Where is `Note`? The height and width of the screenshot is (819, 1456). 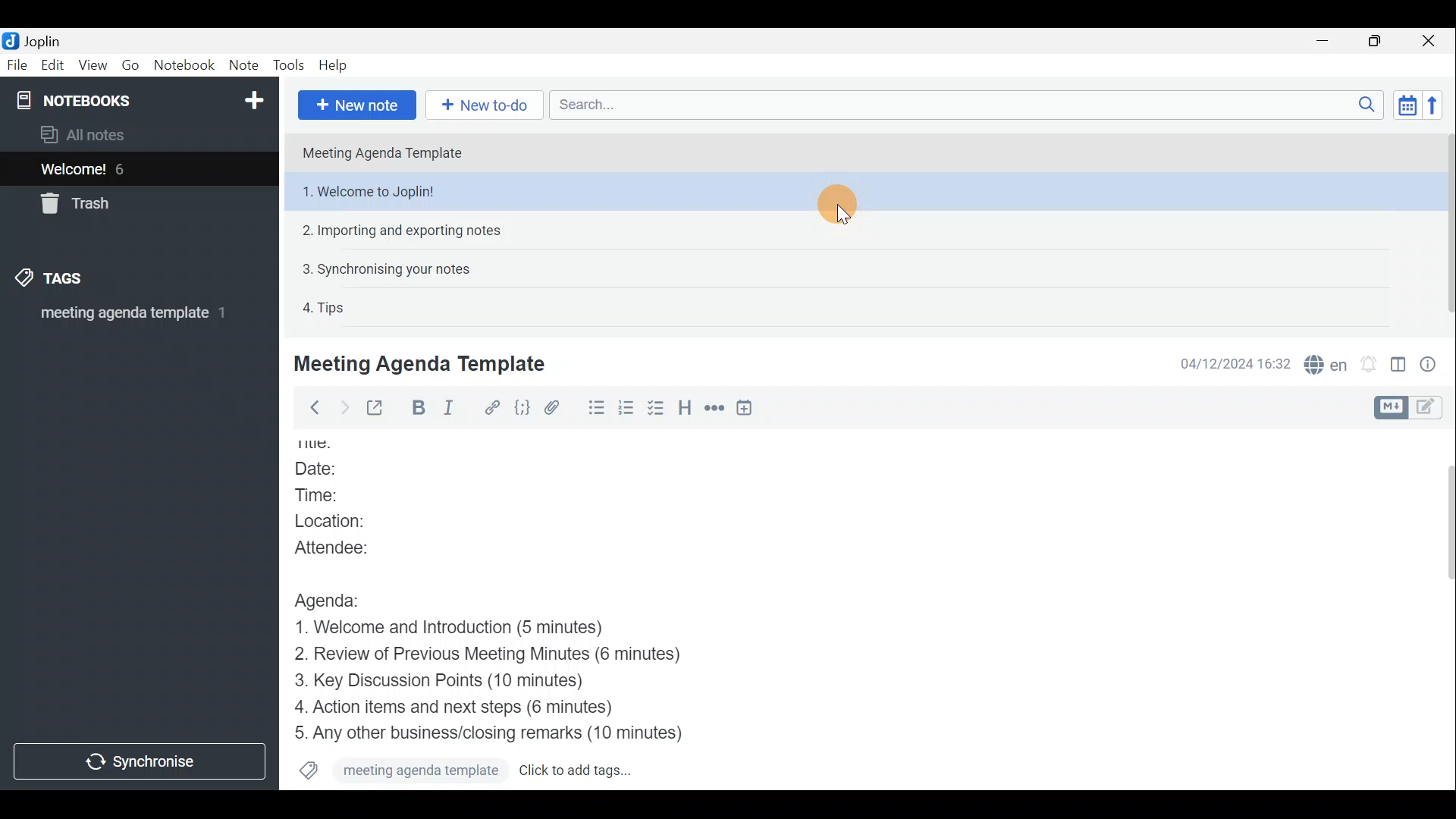 Note is located at coordinates (242, 62).